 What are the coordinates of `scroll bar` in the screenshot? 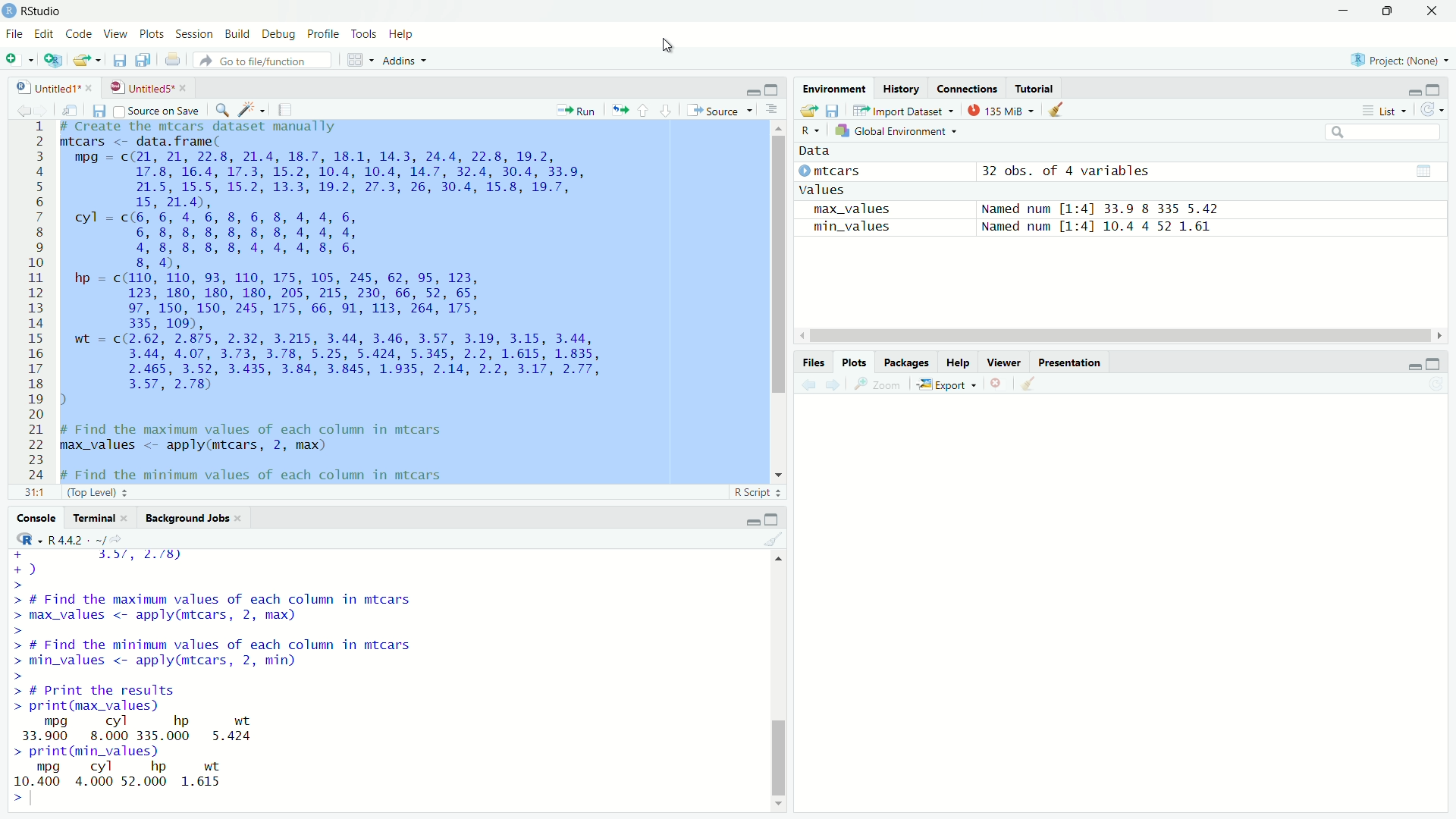 It's located at (1125, 335).